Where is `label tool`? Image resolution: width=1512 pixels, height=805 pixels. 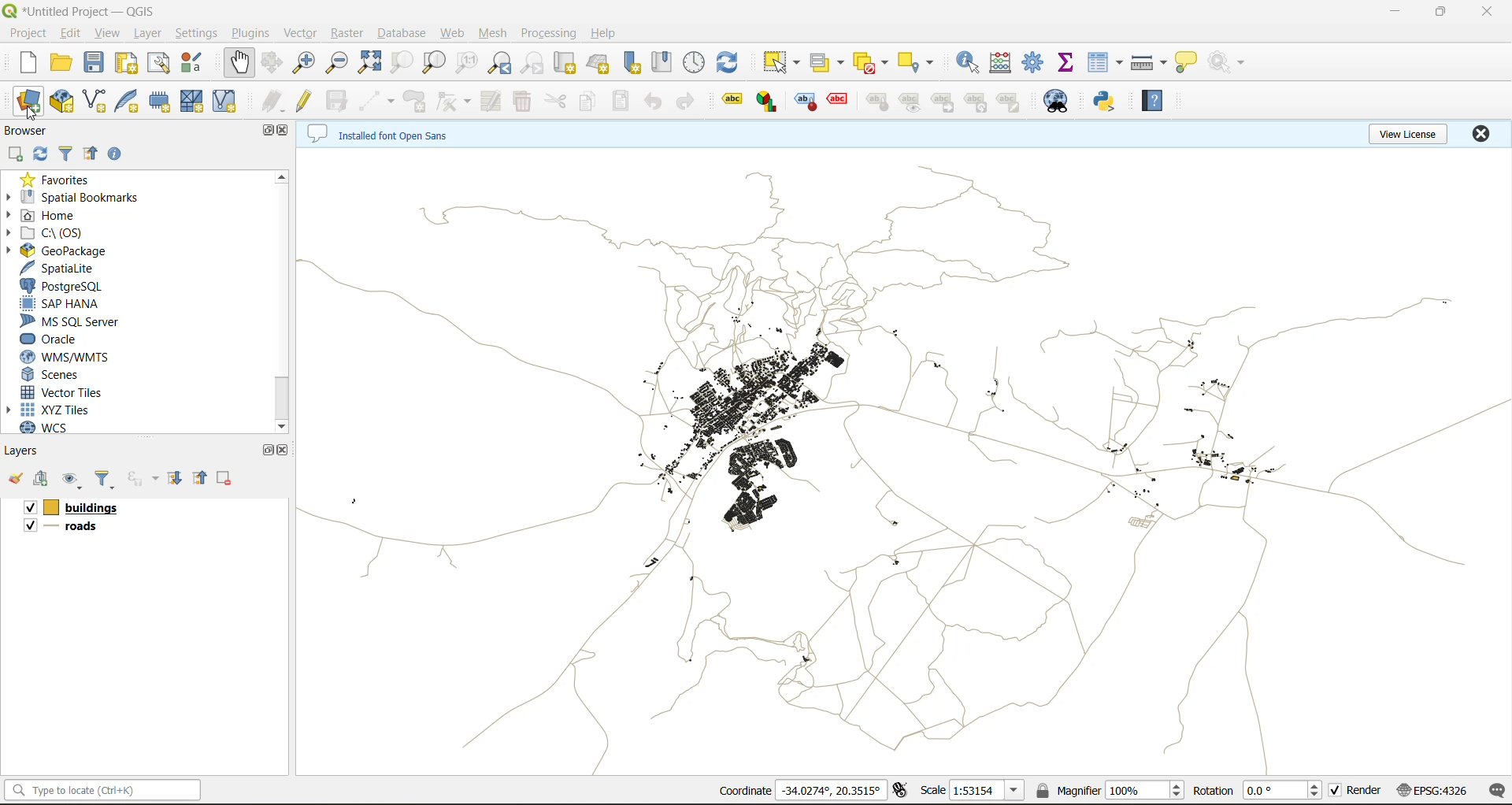
label tool is located at coordinates (807, 102).